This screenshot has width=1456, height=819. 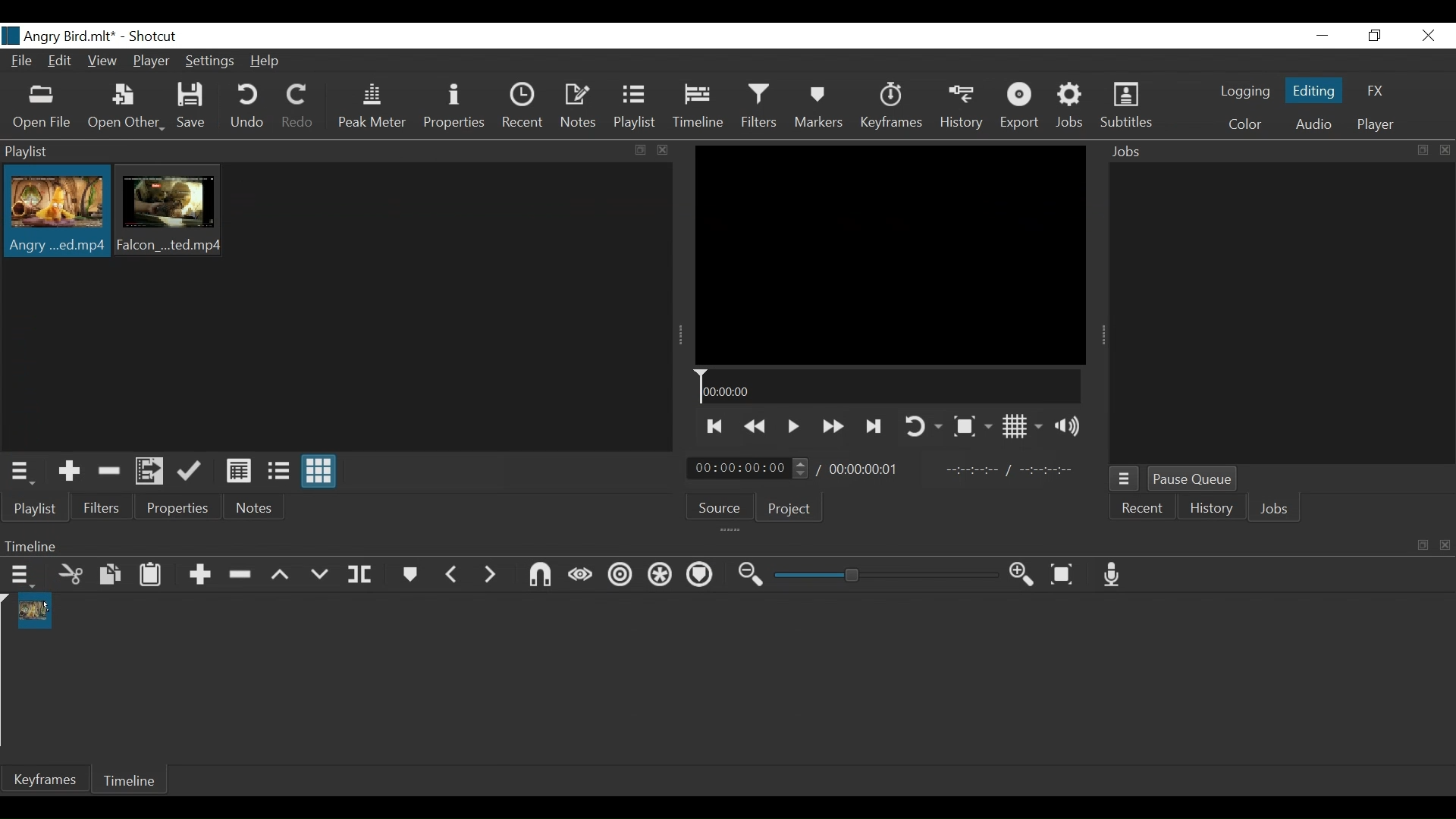 I want to click on Filters, so click(x=762, y=108).